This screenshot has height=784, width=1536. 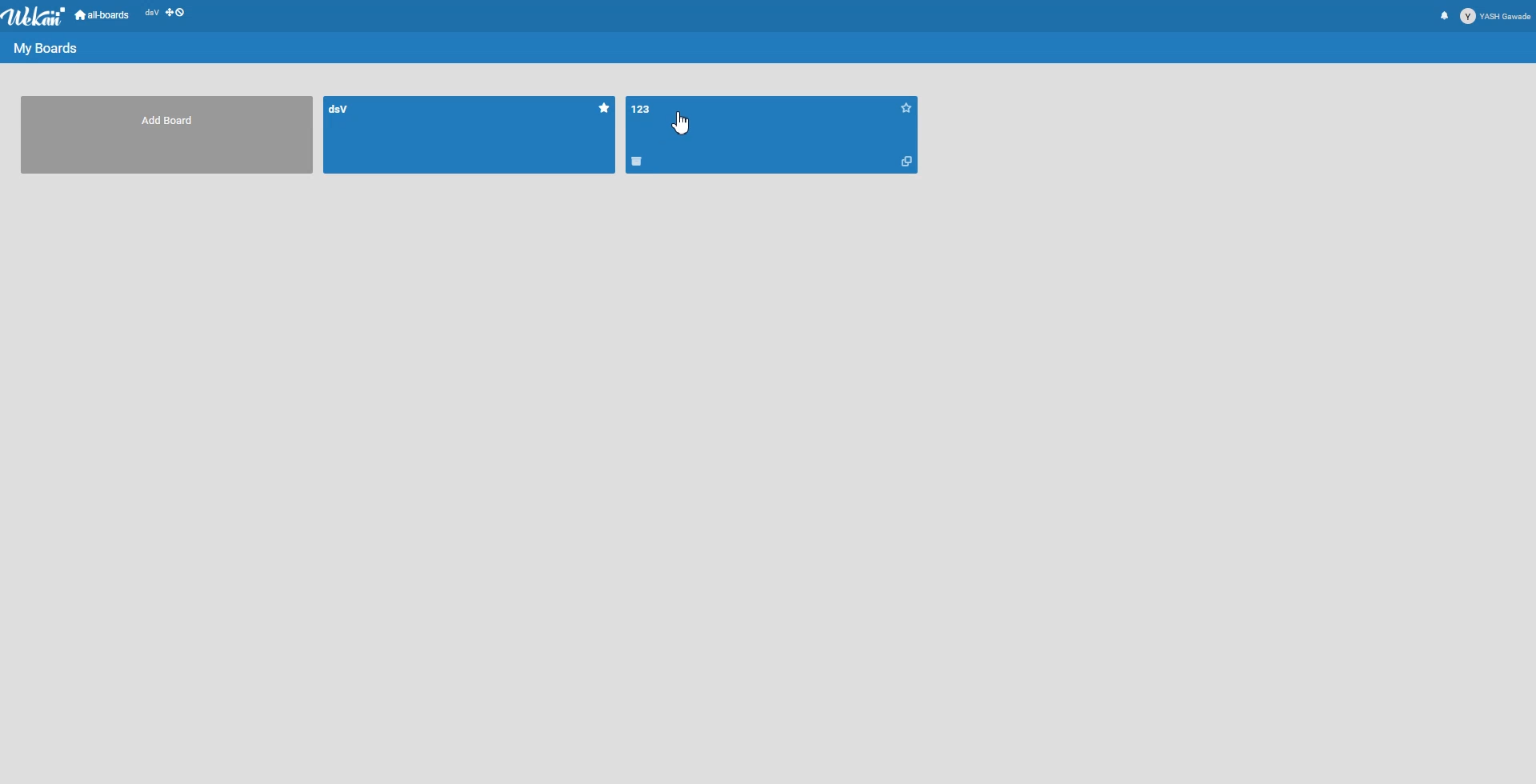 What do you see at coordinates (1496, 16) in the screenshot?
I see `Profile` at bounding box center [1496, 16].